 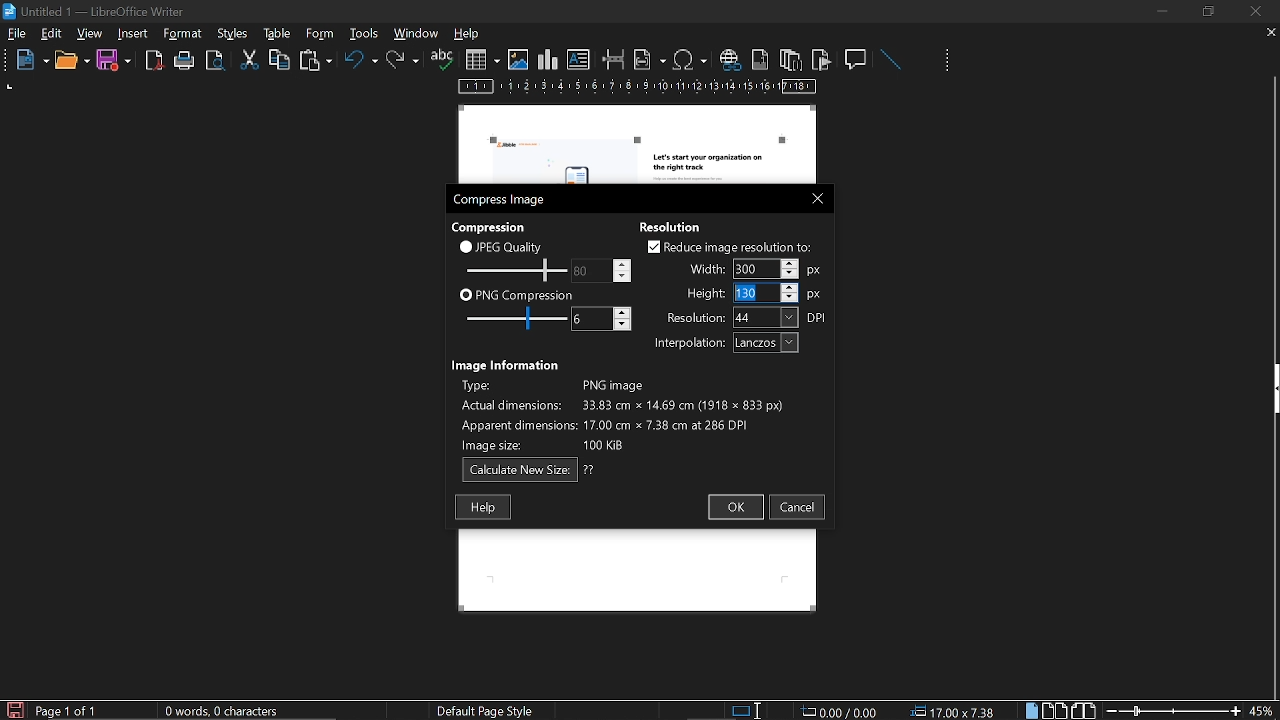 I want to click on Compression, so click(x=491, y=226).